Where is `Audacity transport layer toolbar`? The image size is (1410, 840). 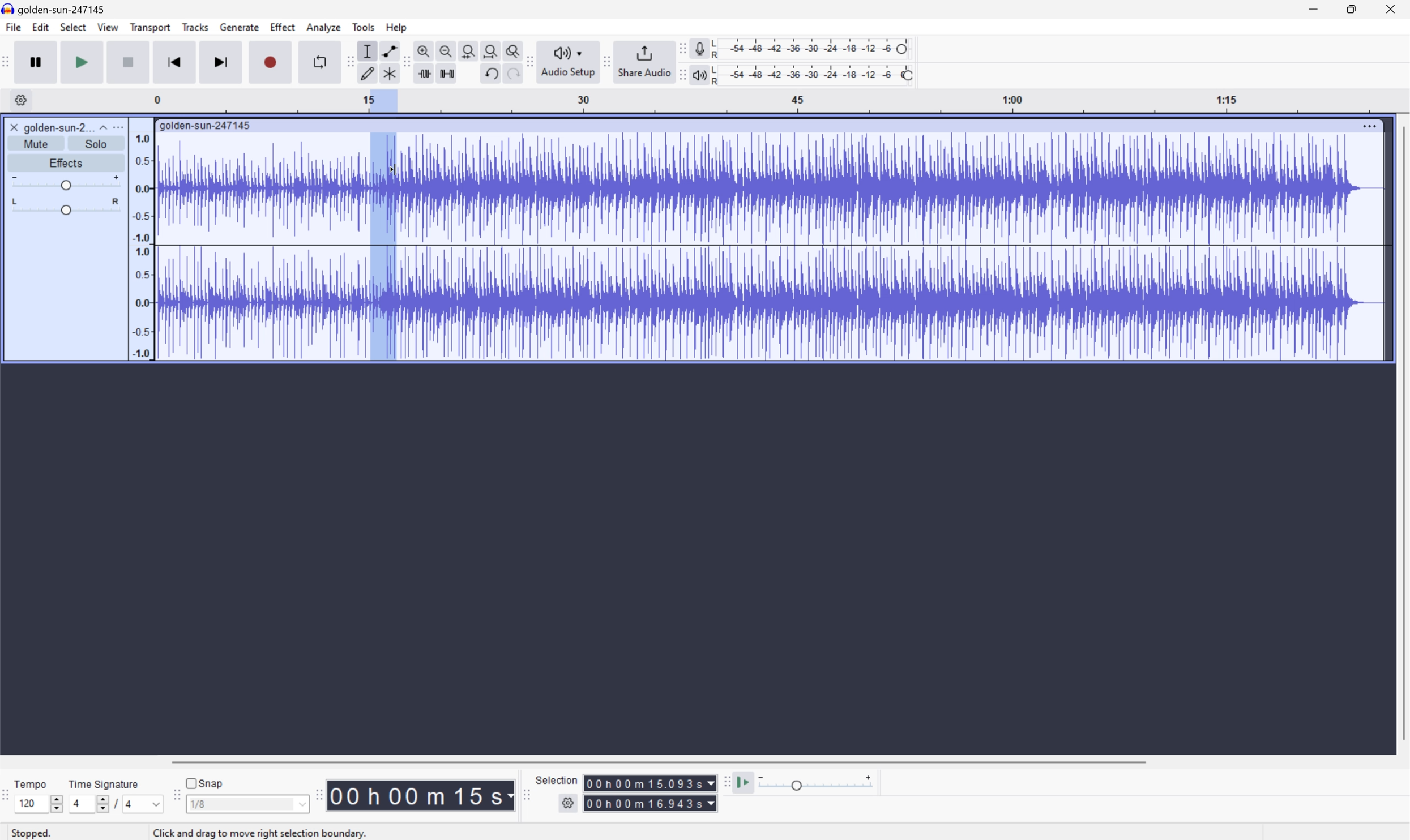
Audacity transport layer toolbar is located at coordinates (6, 62).